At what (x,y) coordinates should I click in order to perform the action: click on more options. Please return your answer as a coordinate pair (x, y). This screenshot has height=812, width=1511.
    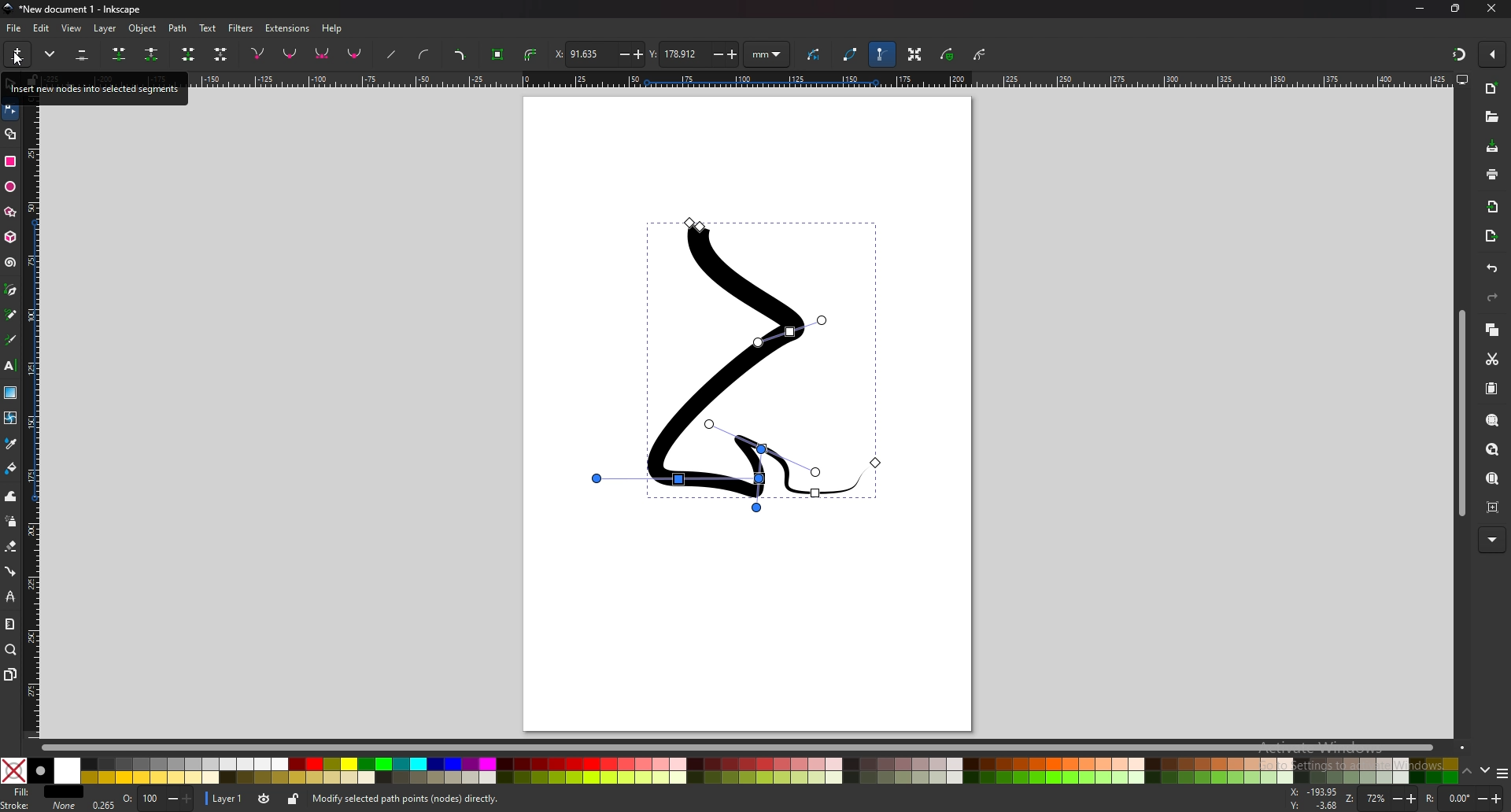
    Looking at the image, I should click on (50, 54).